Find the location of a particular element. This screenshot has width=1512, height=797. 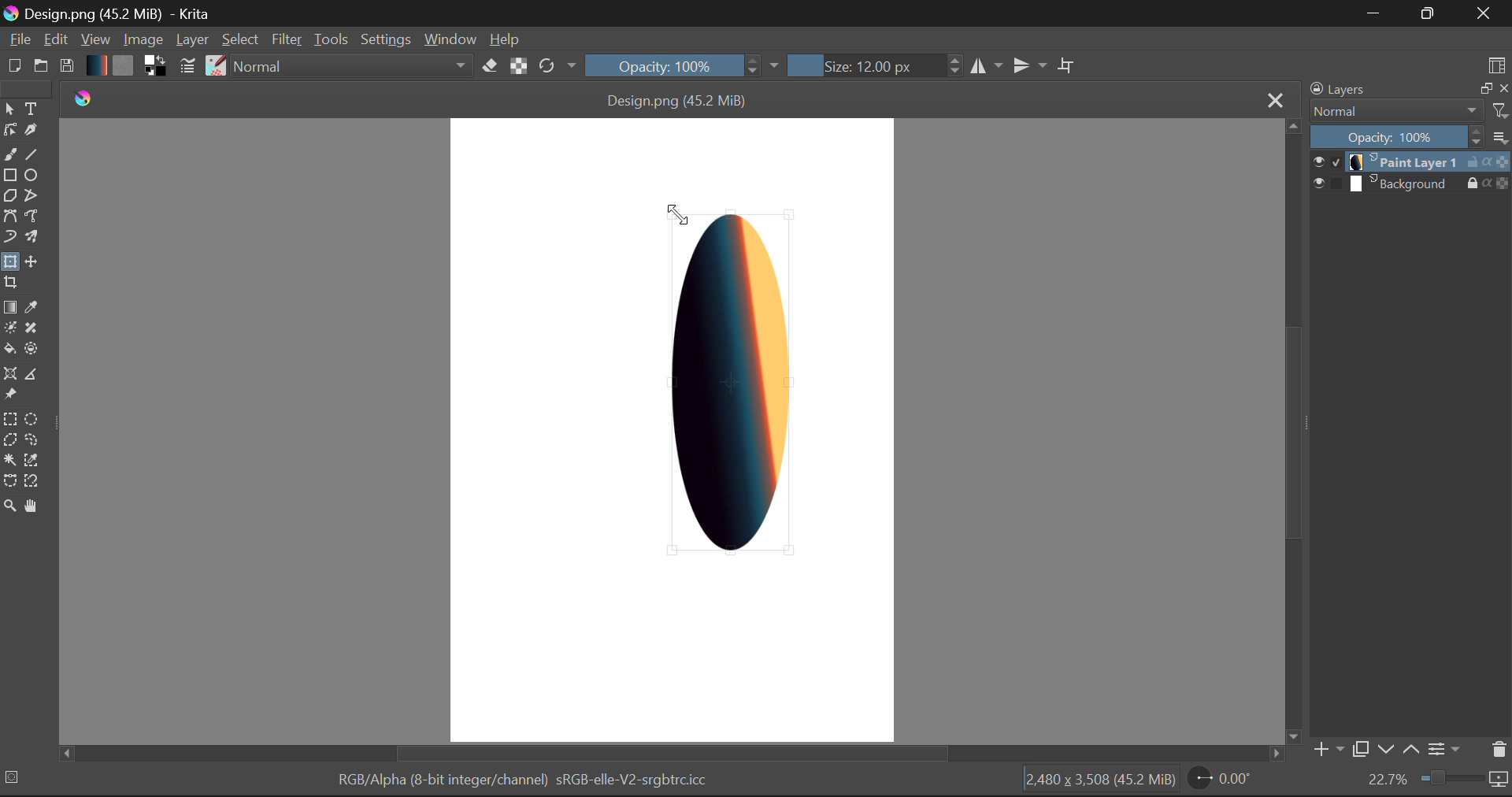

Polygon is located at coordinates (9, 198).